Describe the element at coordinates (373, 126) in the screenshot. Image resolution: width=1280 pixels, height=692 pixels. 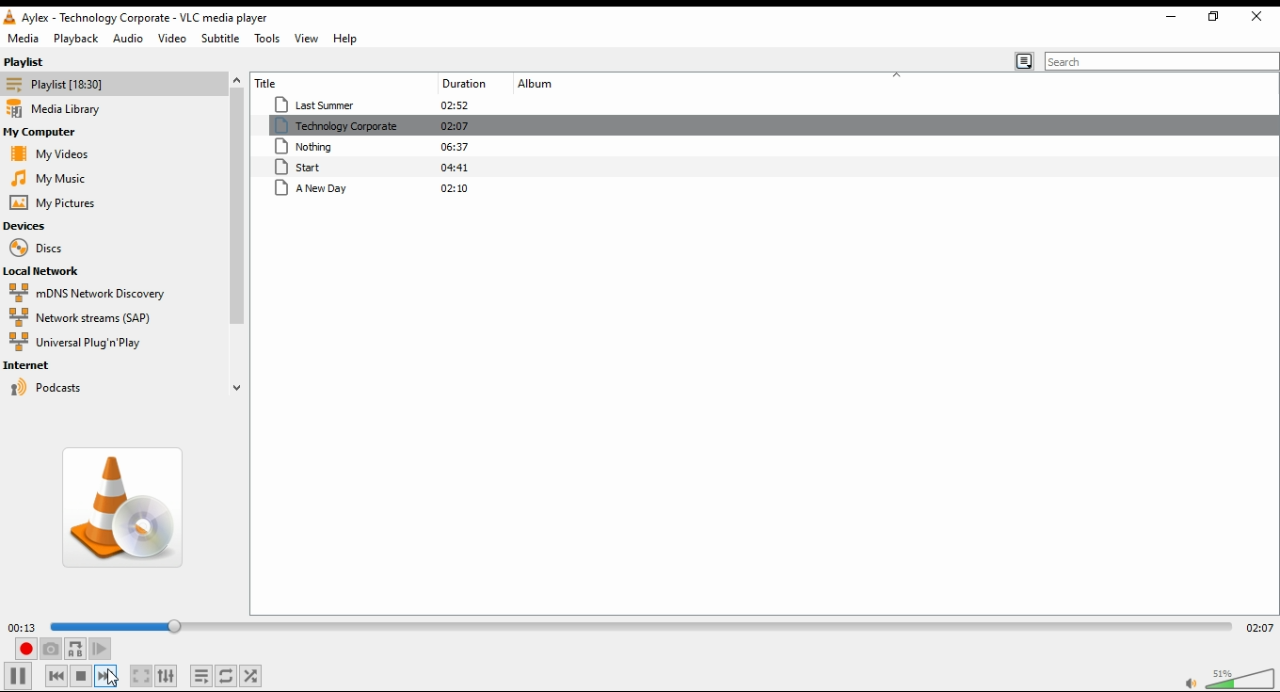
I see `technology corporate` at that location.